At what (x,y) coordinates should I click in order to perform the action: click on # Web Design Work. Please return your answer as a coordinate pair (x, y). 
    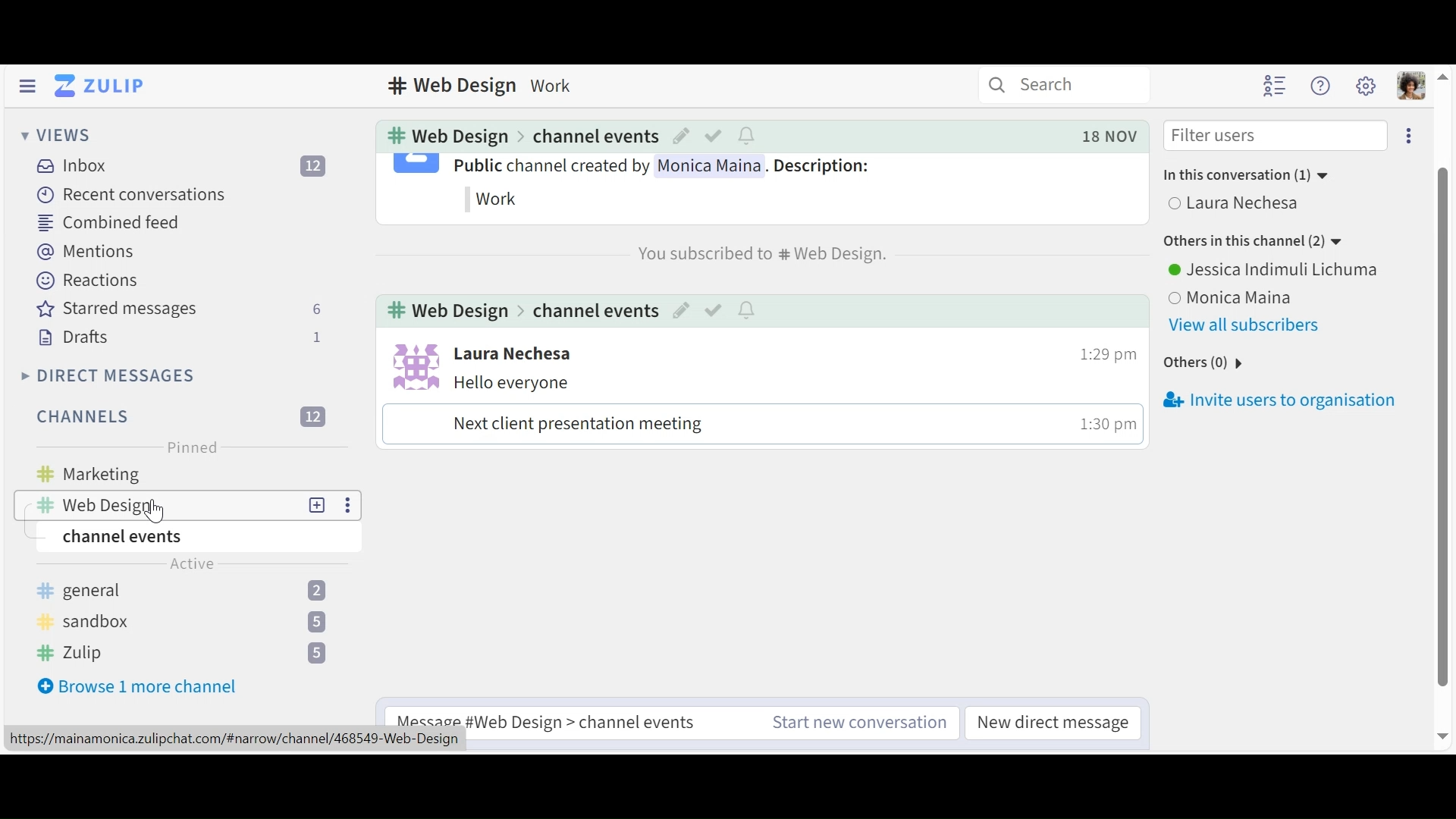
    Looking at the image, I should click on (488, 87).